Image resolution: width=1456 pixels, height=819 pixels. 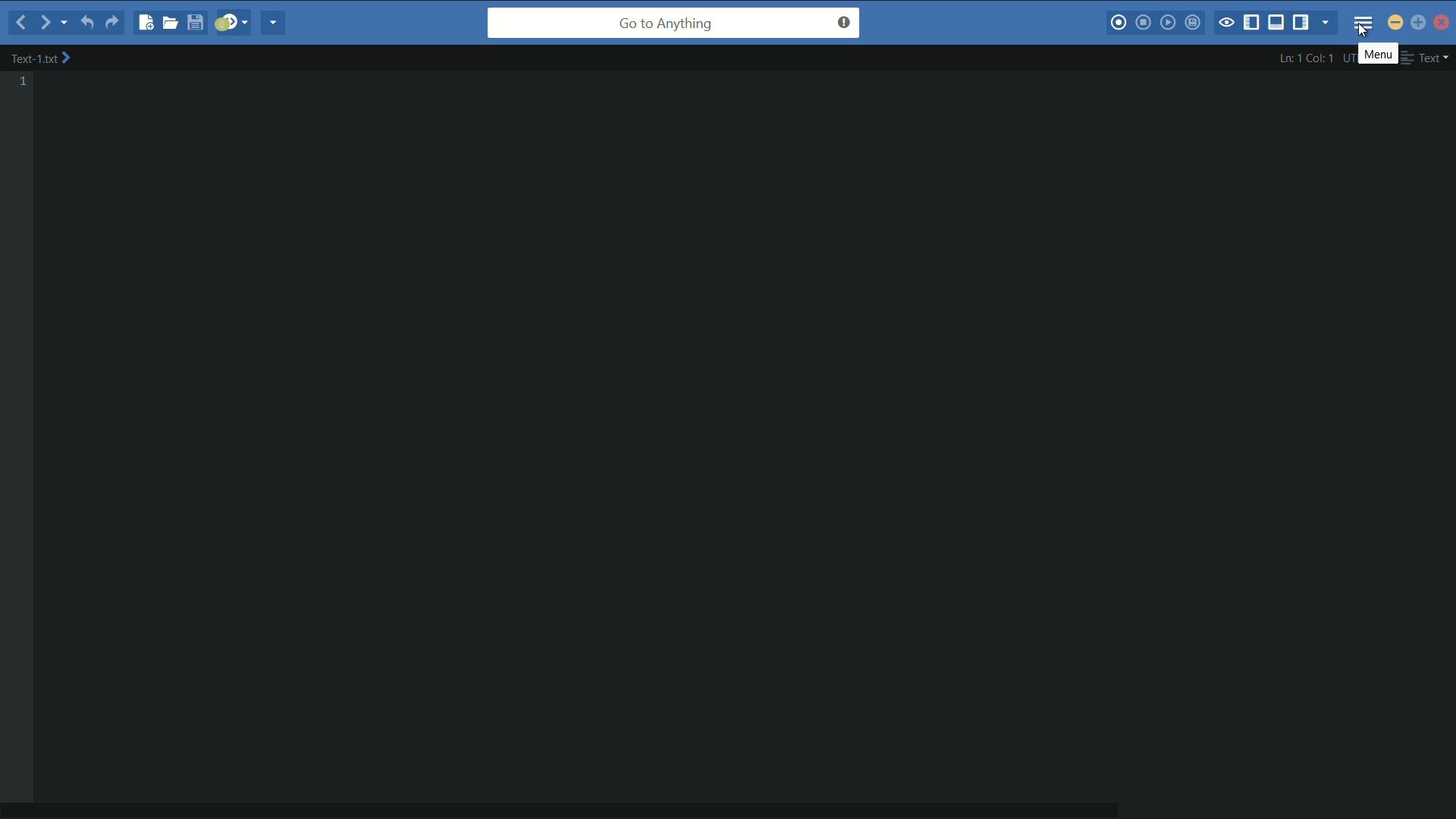 What do you see at coordinates (1118, 24) in the screenshot?
I see `start macros` at bounding box center [1118, 24].